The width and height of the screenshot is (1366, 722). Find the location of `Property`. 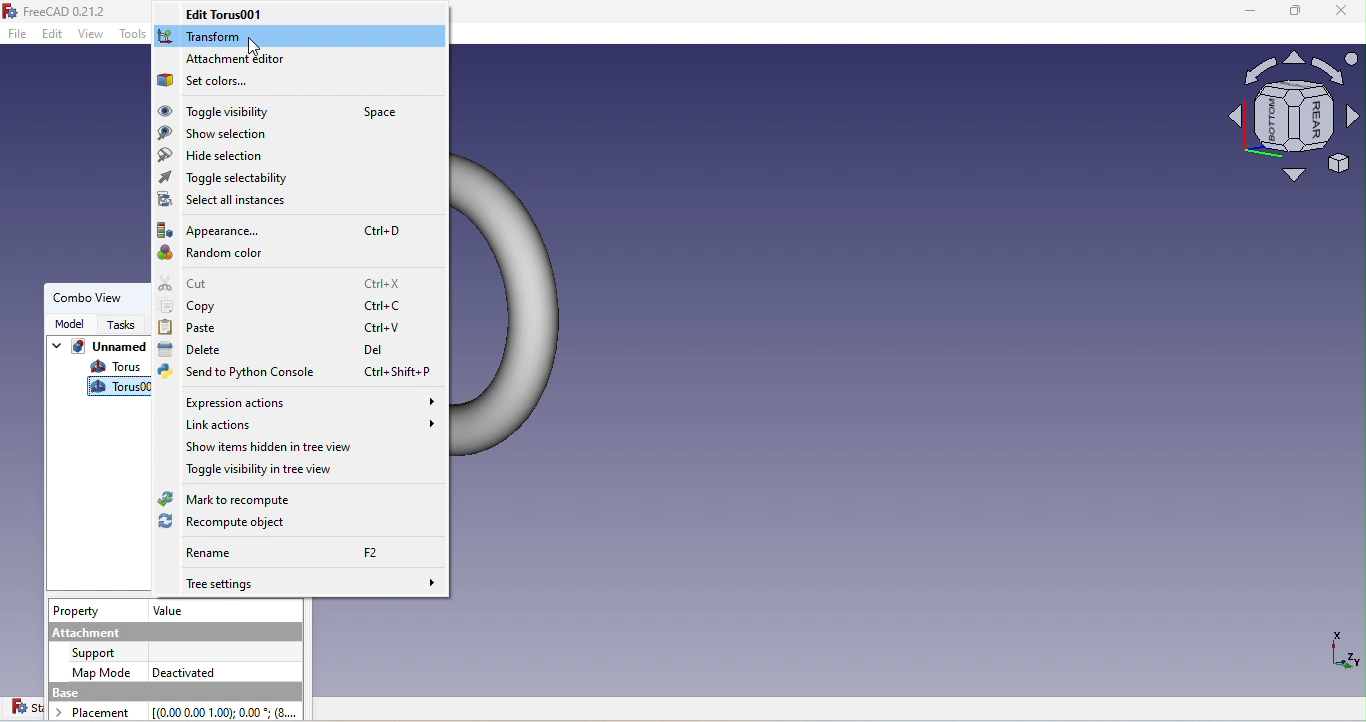

Property is located at coordinates (80, 611).